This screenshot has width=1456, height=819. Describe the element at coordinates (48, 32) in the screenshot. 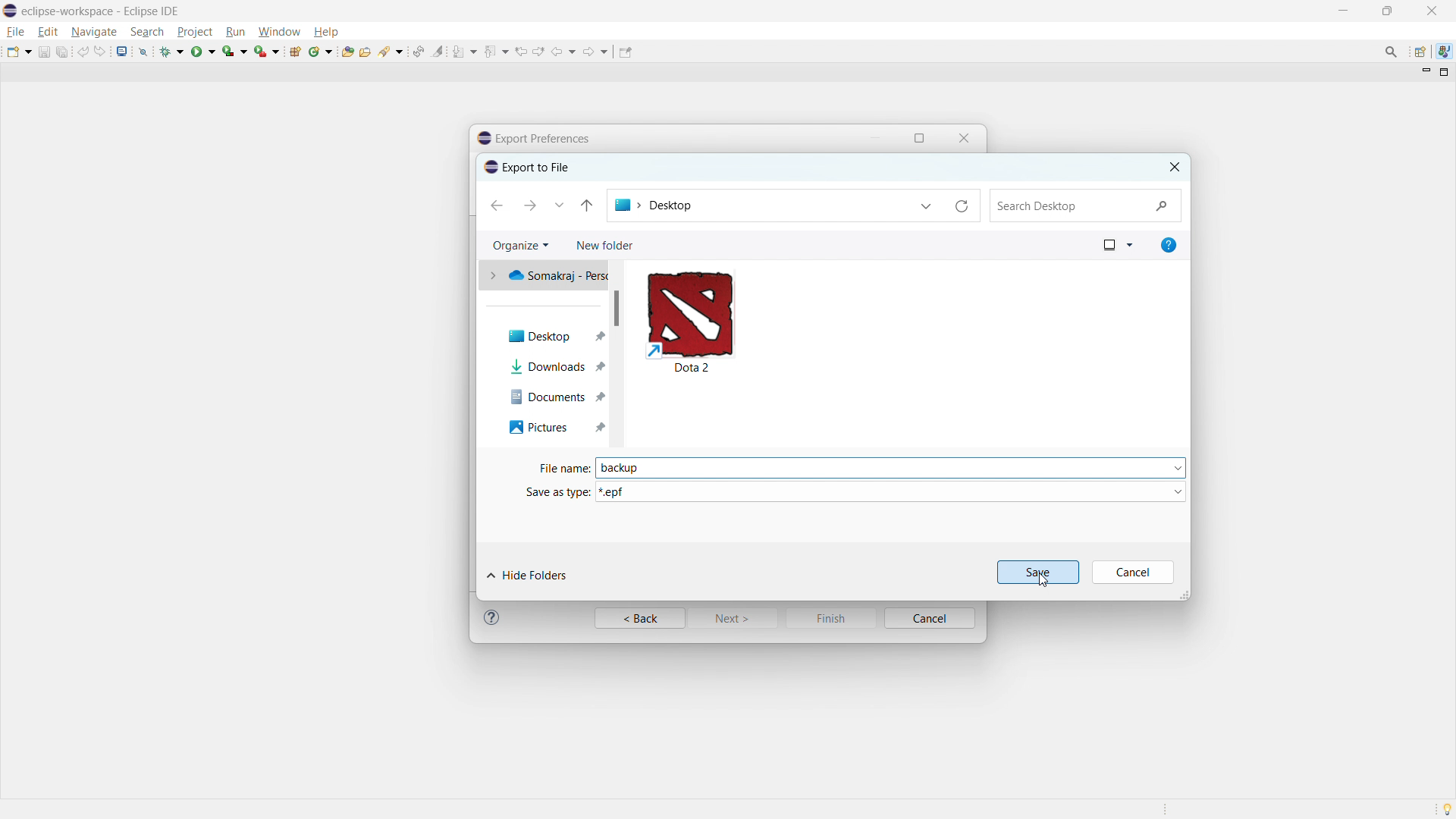

I see `edit` at that location.